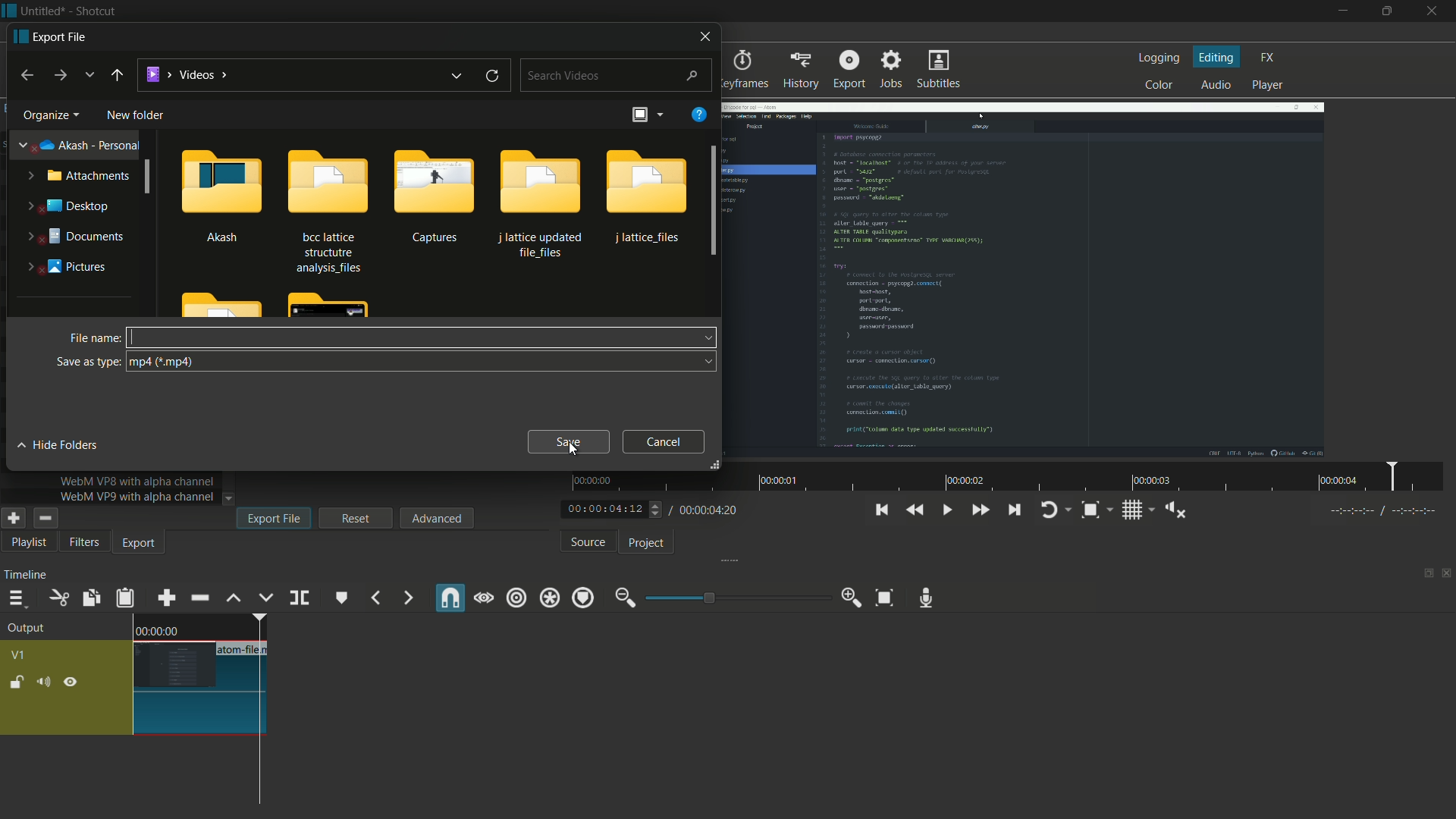 The width and height of the screenshot is (1456, 819). Describe the element at coordinates (435, 518) in the screenshot. I see `advanced` at that location.